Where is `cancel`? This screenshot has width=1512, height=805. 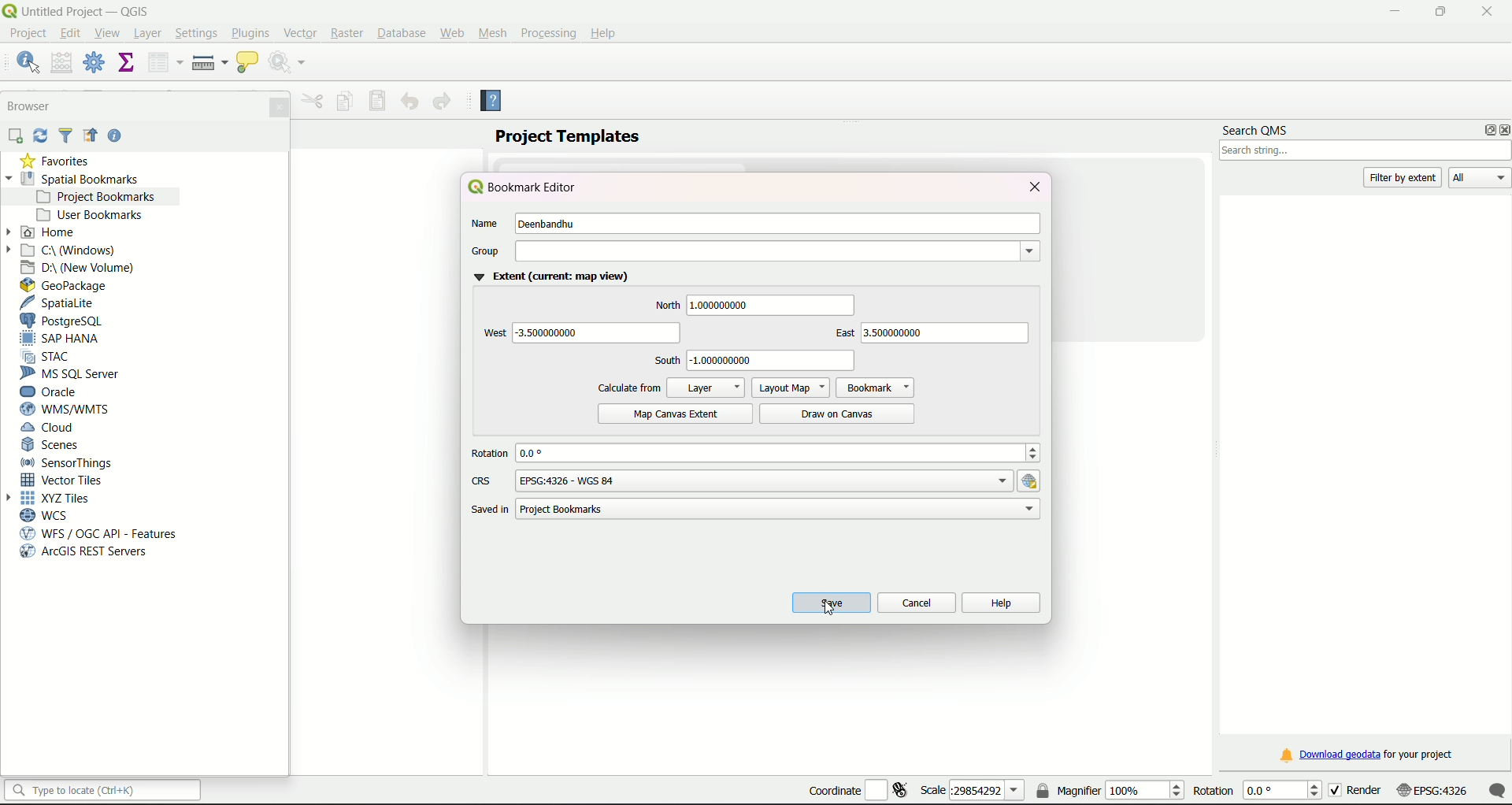 cancel is located at coordinates (917, 603).